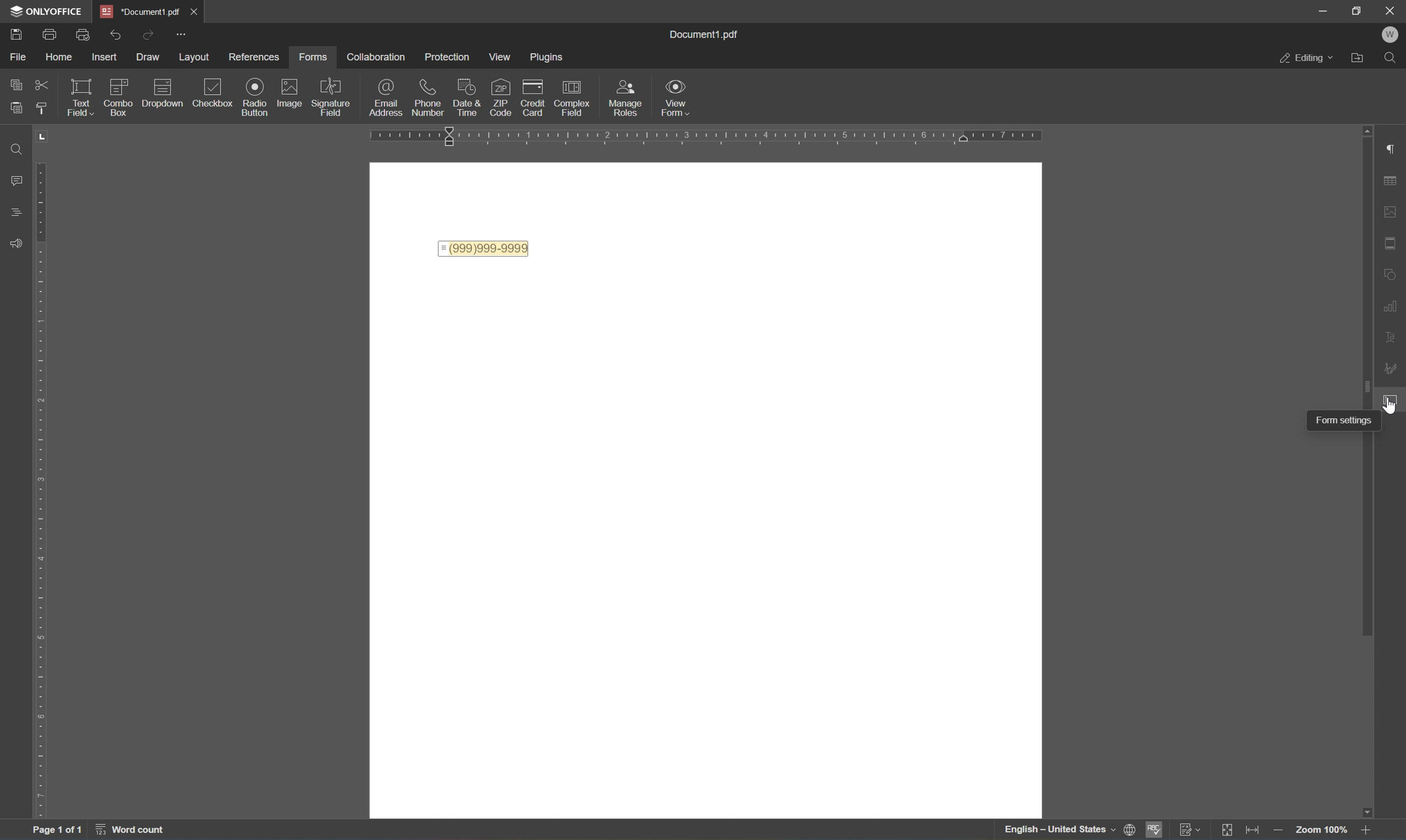 The width and height of the screenshot is (1406, 840). What do you see at coordinates (103, 57) in the screenshot?
I see `insert` at bounding box center [103, 57].